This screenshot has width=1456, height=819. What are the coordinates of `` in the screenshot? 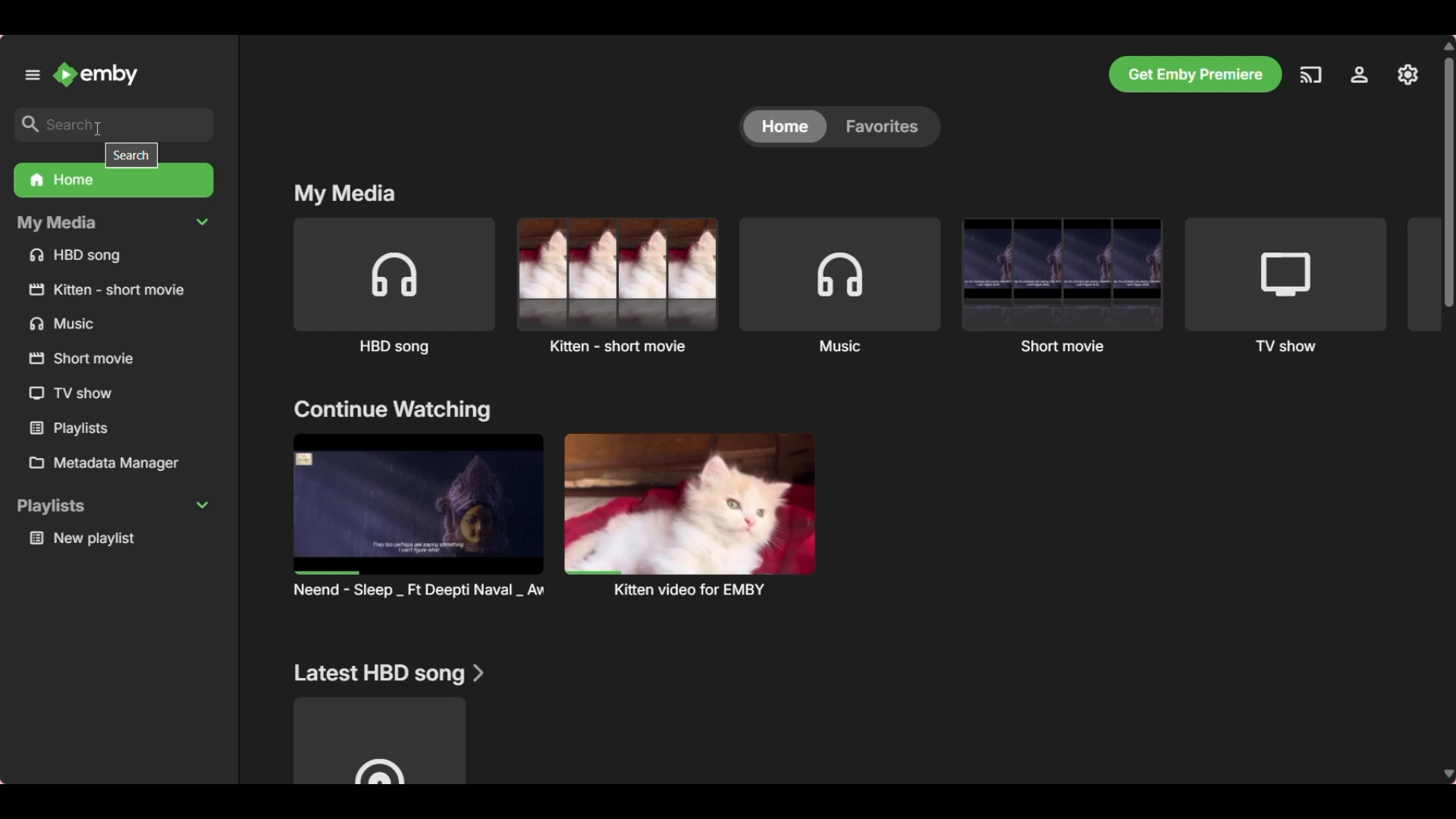 It's located at (117, 289).